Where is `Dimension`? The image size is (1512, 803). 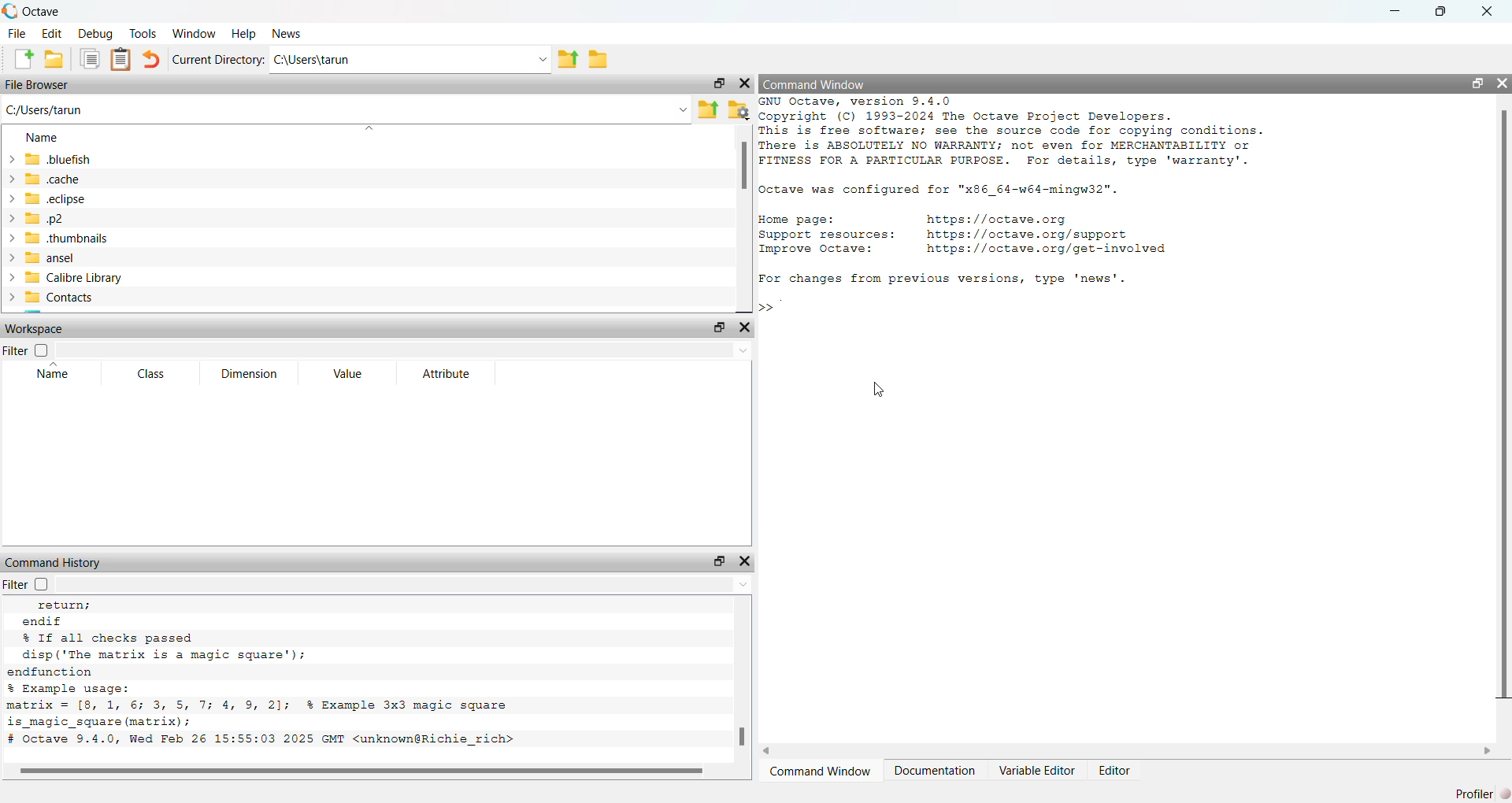 Dimension is located at coordinates (248, 375).